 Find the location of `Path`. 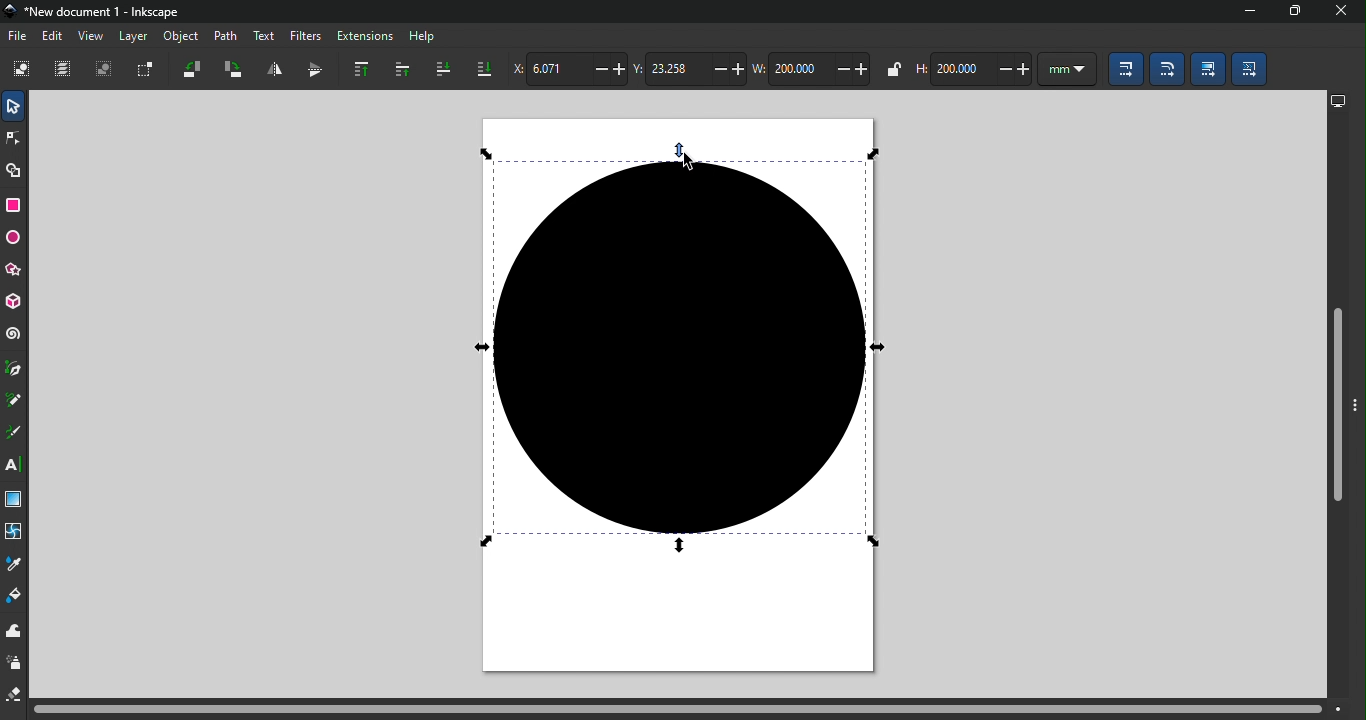

Path is located at coordinates (225, 37).